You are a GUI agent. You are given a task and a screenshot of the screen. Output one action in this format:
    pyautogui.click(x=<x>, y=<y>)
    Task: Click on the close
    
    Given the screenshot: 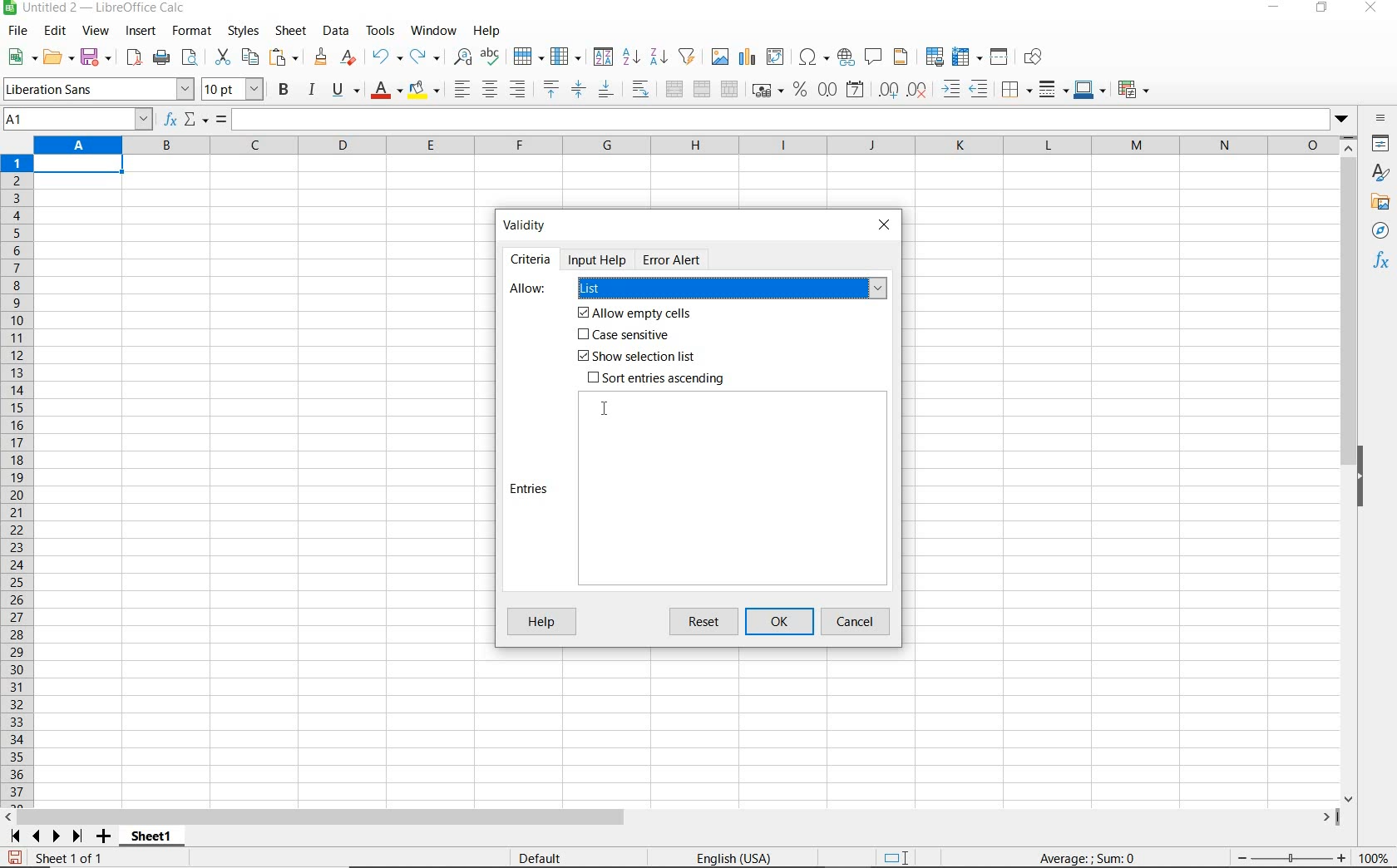 What is the action you would take?
    pyautogui.click(x=1370, y=8)
    